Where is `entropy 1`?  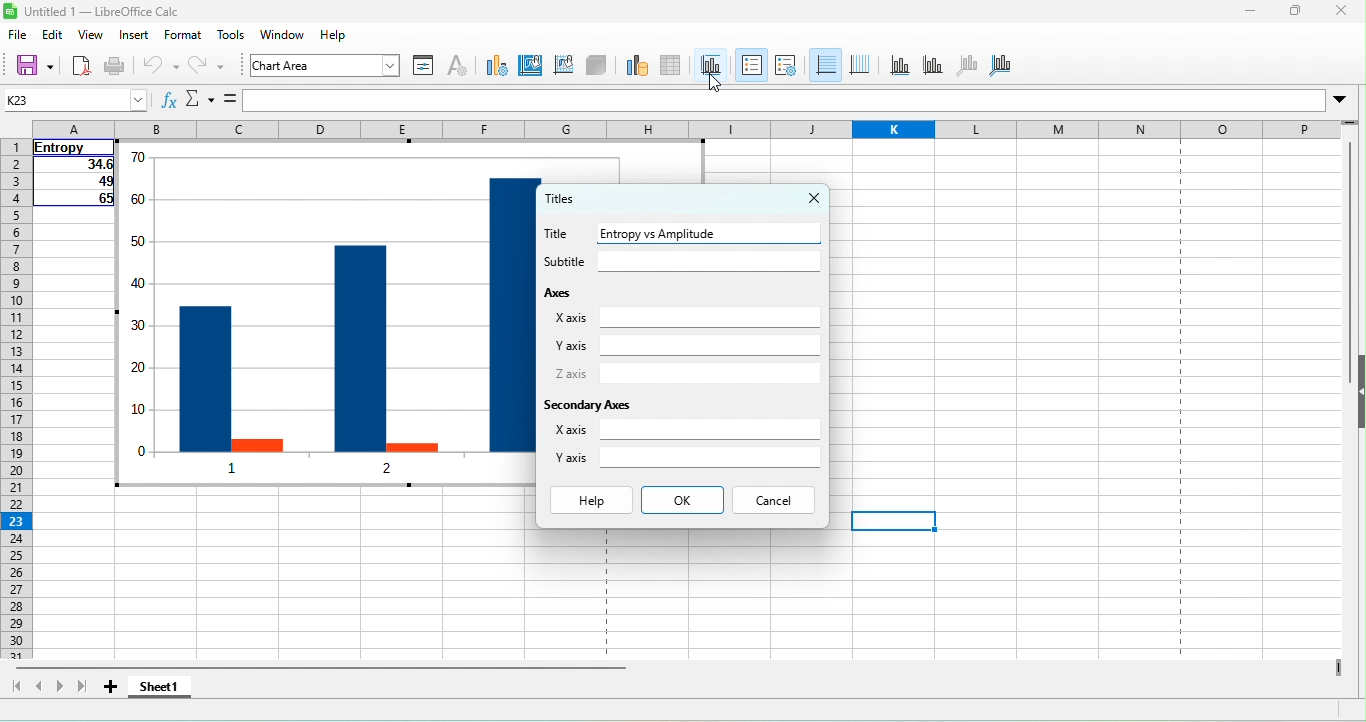
entropy 1 is located at coordinates (204, 378).